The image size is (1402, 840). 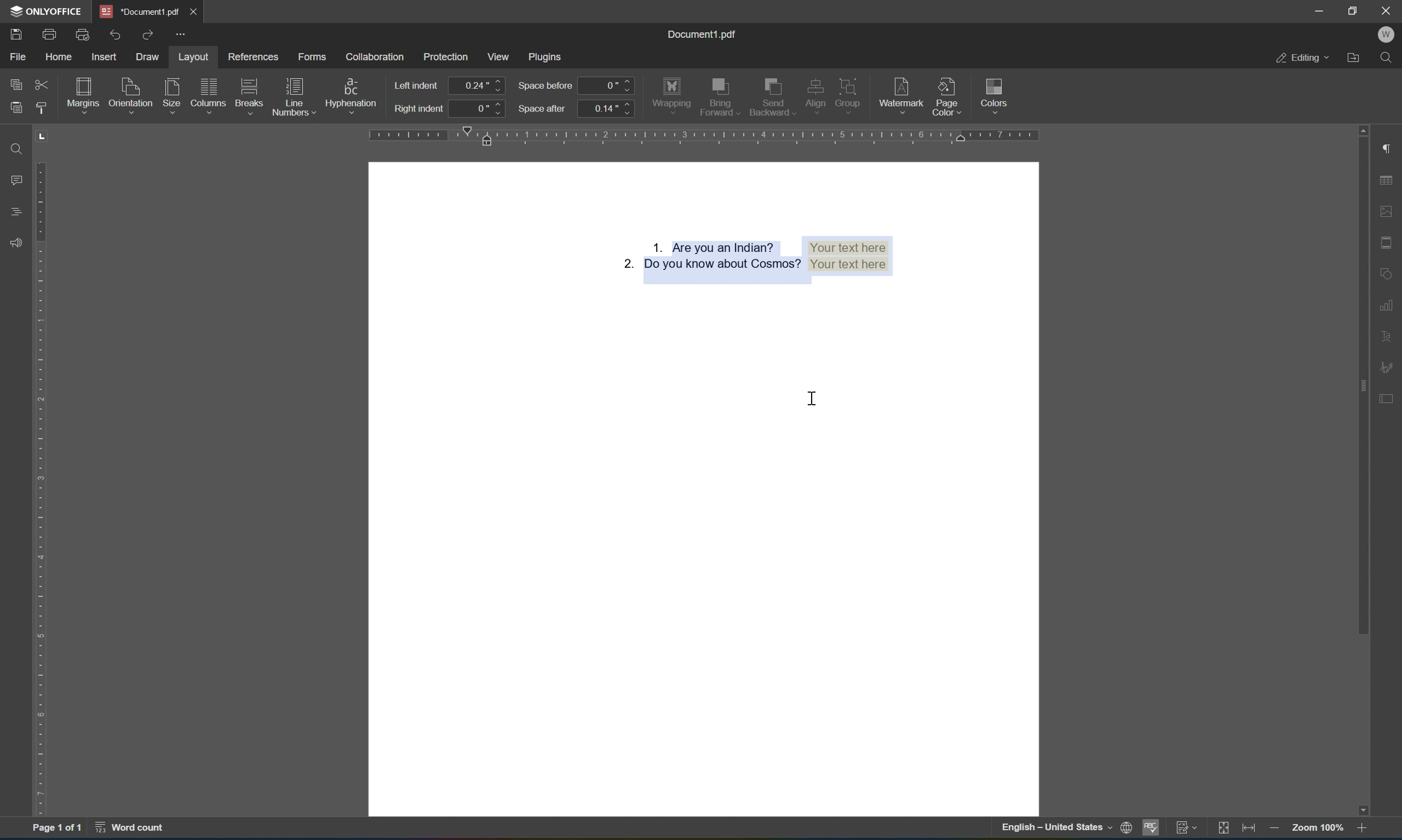 What do you see at coordinates (1389, 397) in the screenshot?
I see `form settings` at bounding box center [1389, 397].